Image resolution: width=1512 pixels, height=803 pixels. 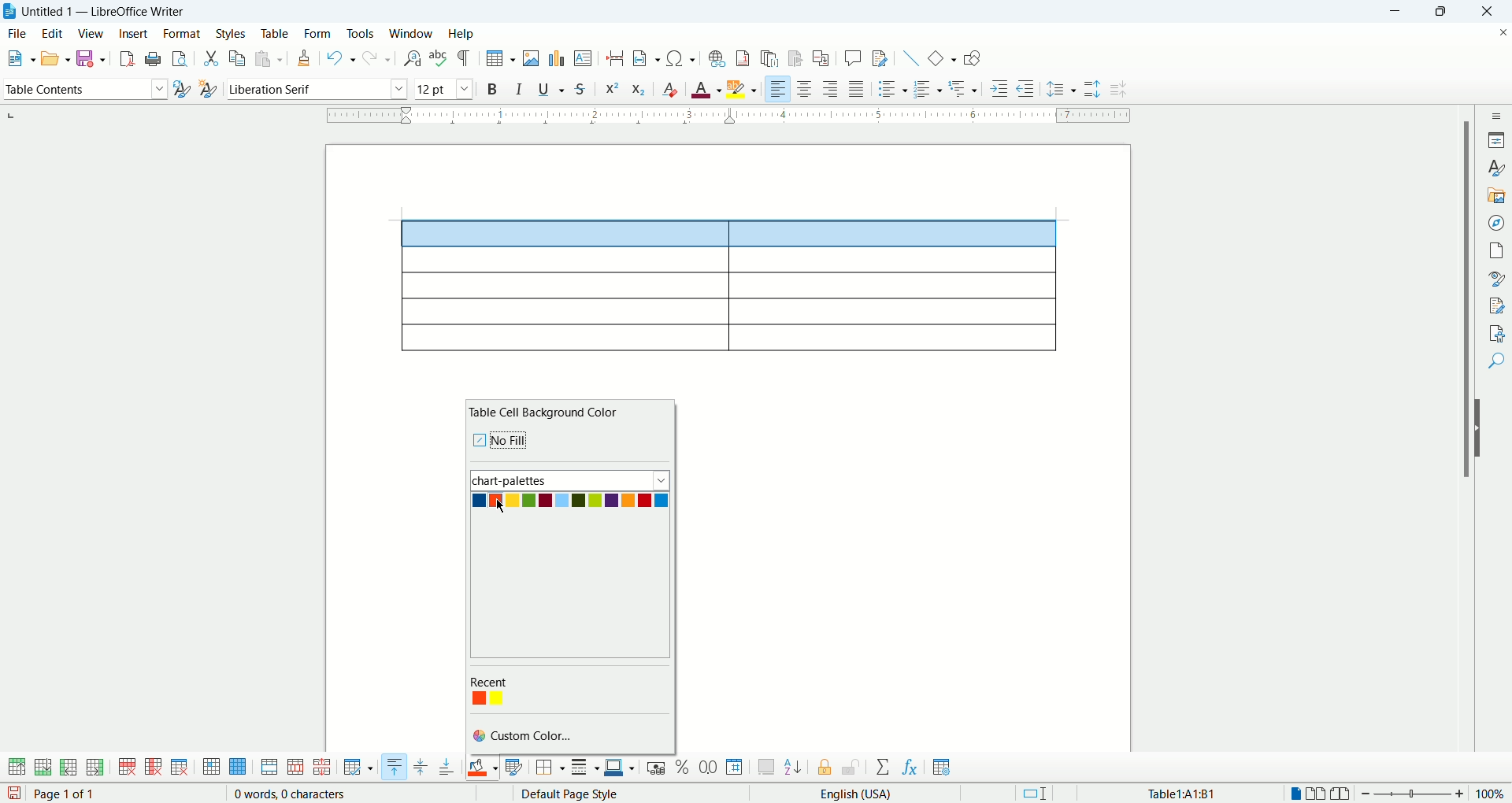 I want to click on find and replace, so click(x=414, y=59).